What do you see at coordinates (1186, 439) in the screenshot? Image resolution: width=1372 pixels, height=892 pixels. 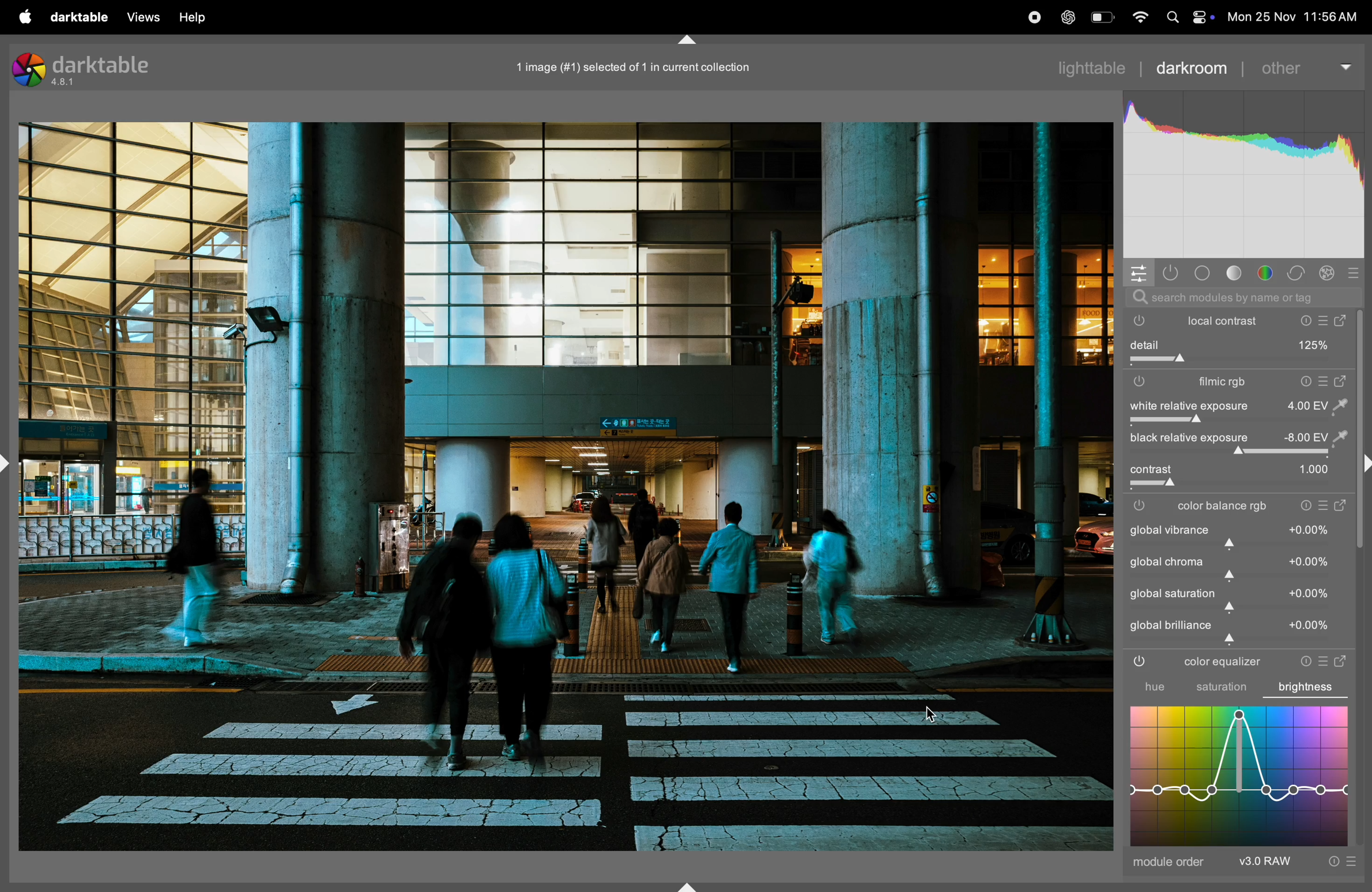 I see `black relavtive exposure` at bounding box center [1186, 439].